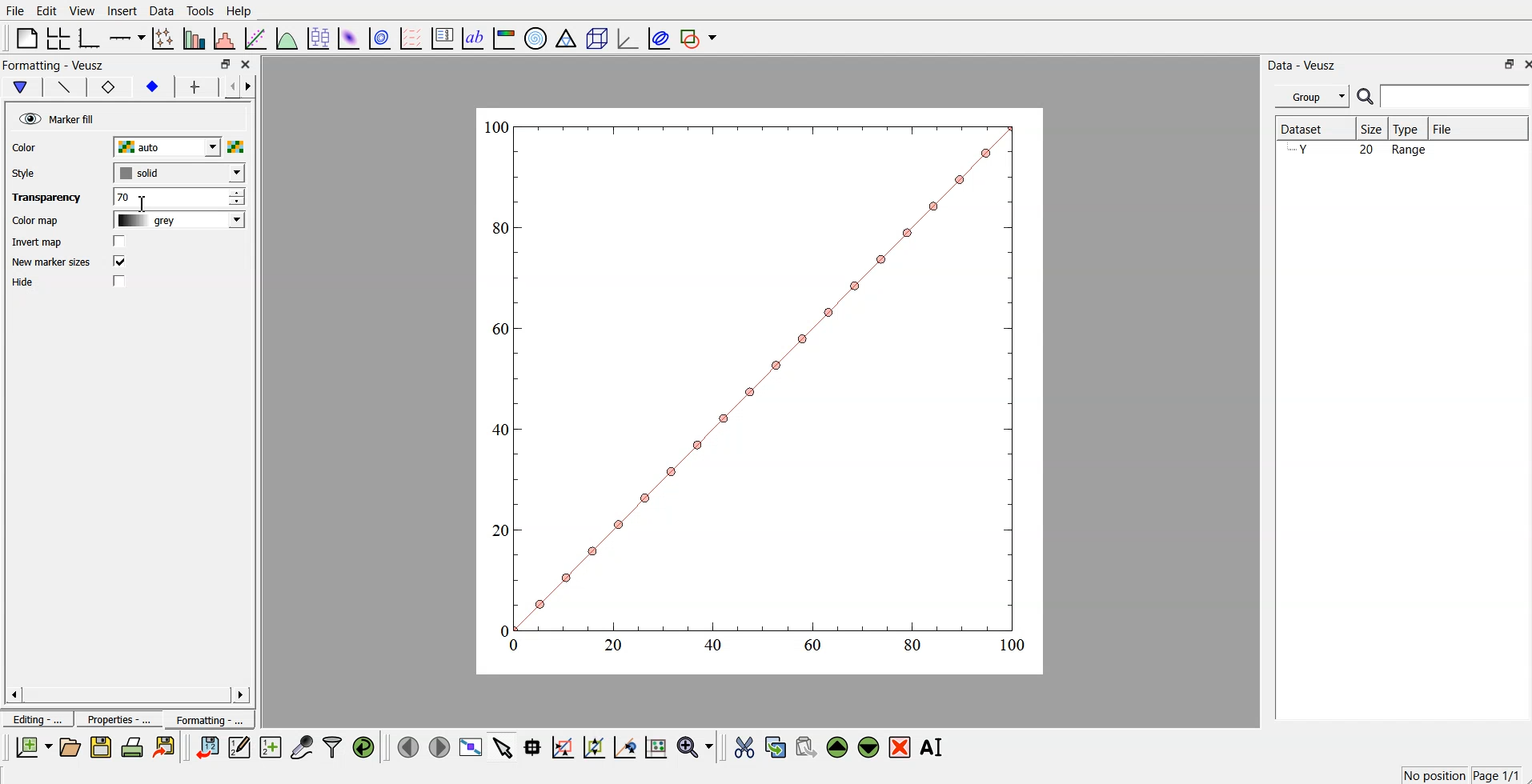 This screenshot has width=1532, height=784. What do you see at coordinates (58, 35) in the screenshot?
I see `arrange a graph in a grid` at bounding box center [58, 35].